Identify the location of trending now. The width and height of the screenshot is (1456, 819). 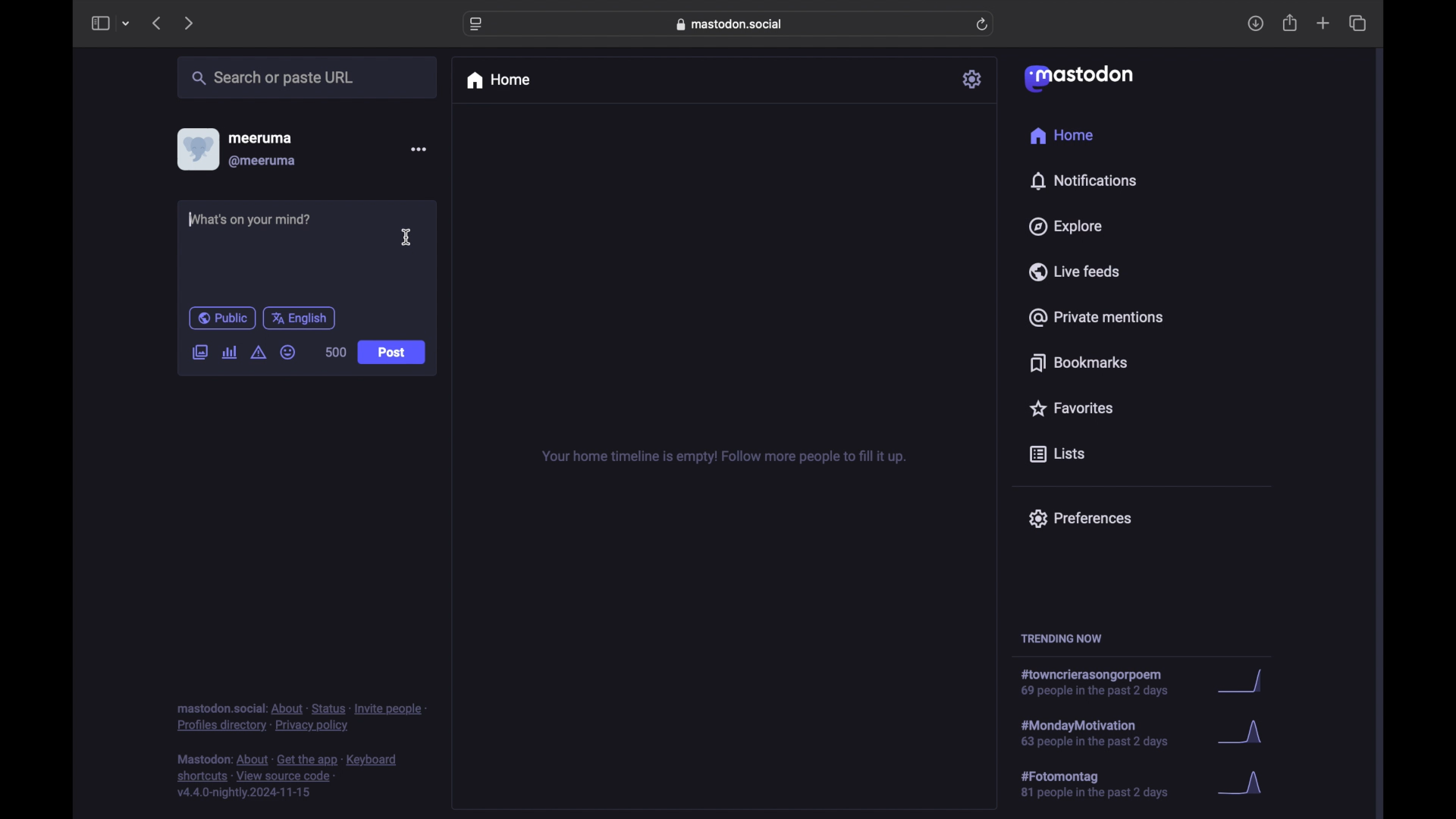
(1061, 639).